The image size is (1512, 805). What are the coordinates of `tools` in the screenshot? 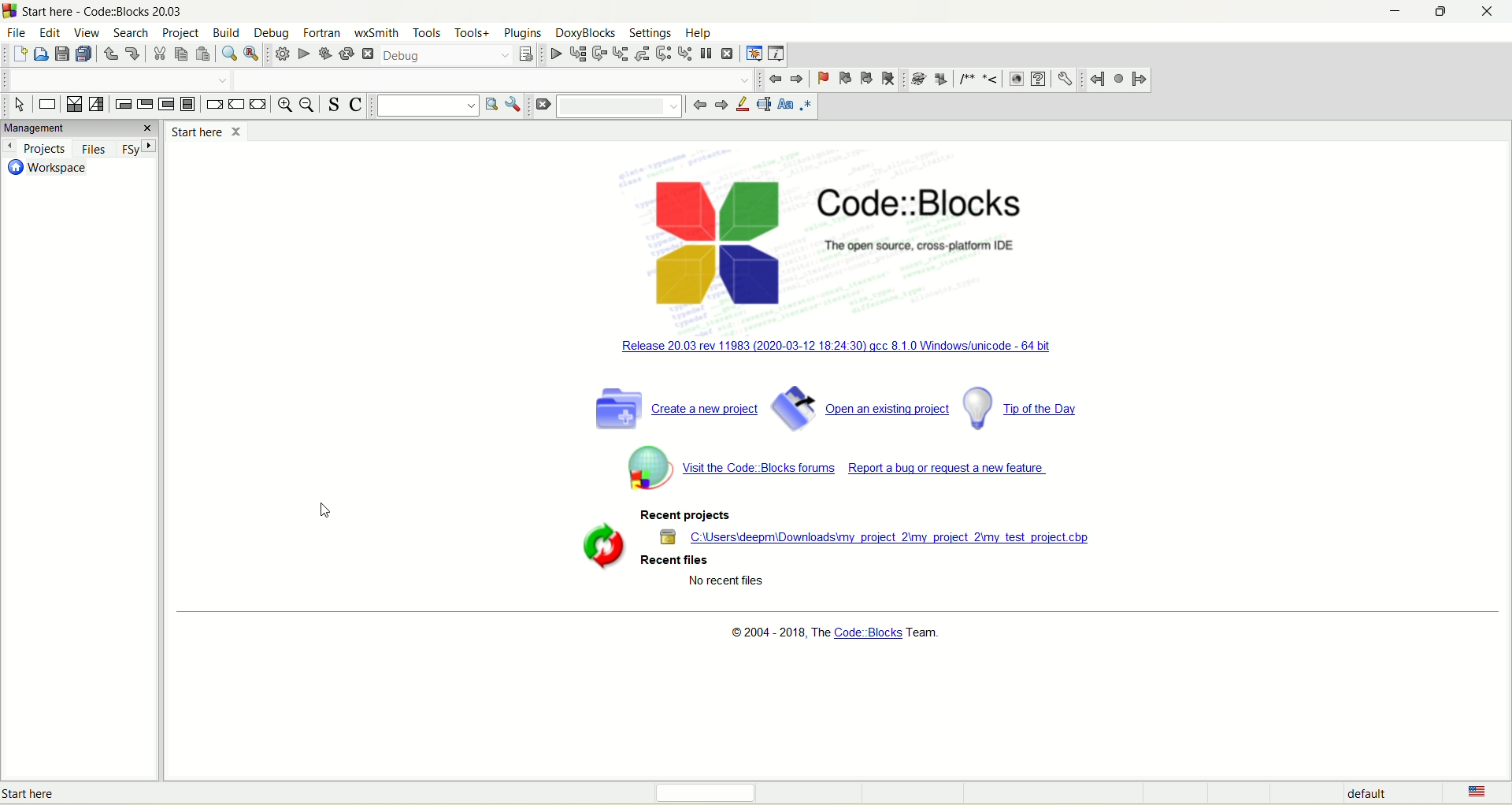 It's located at (424, 33).